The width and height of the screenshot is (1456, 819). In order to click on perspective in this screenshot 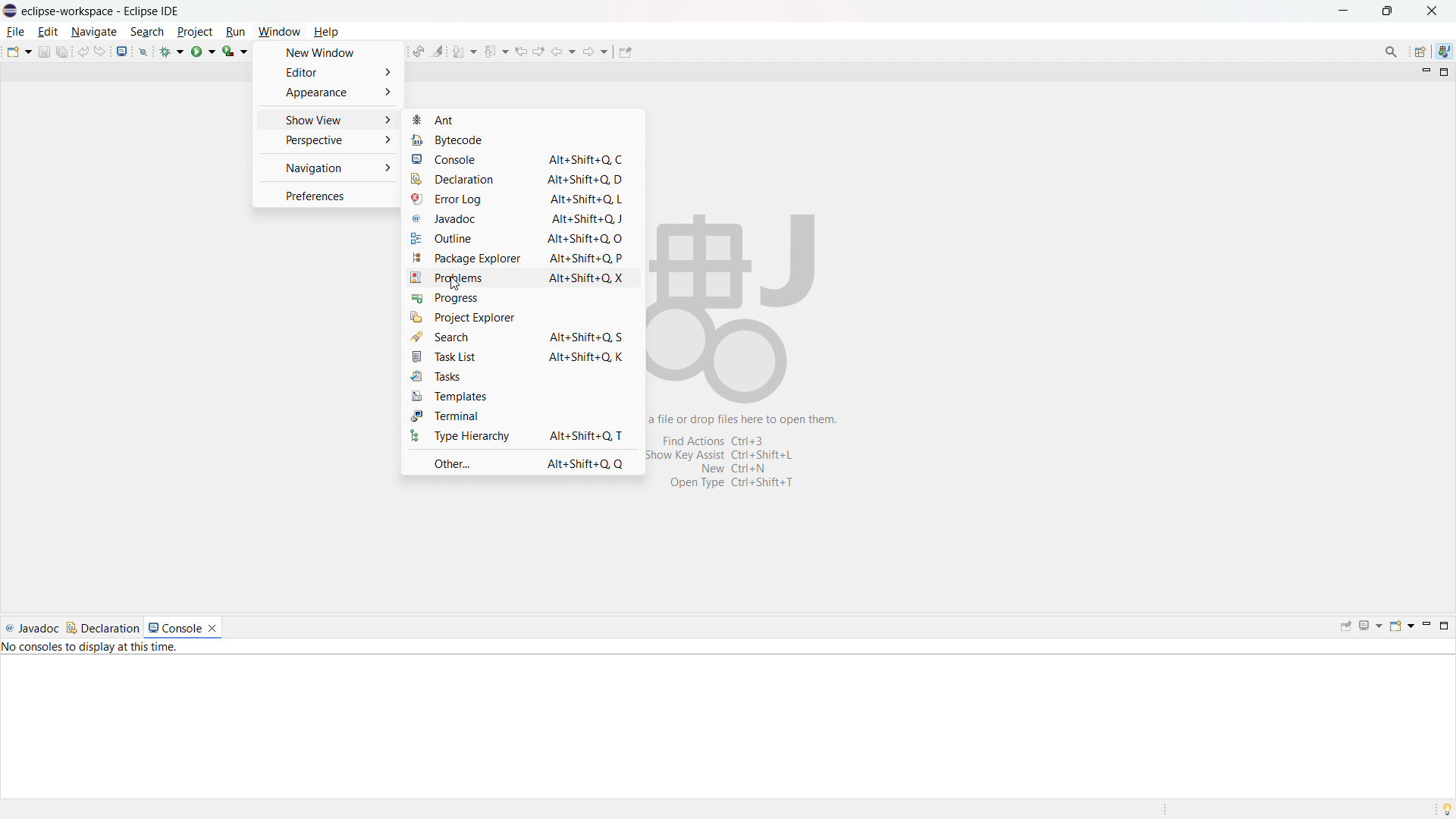, I will do `click(327, 140)`.